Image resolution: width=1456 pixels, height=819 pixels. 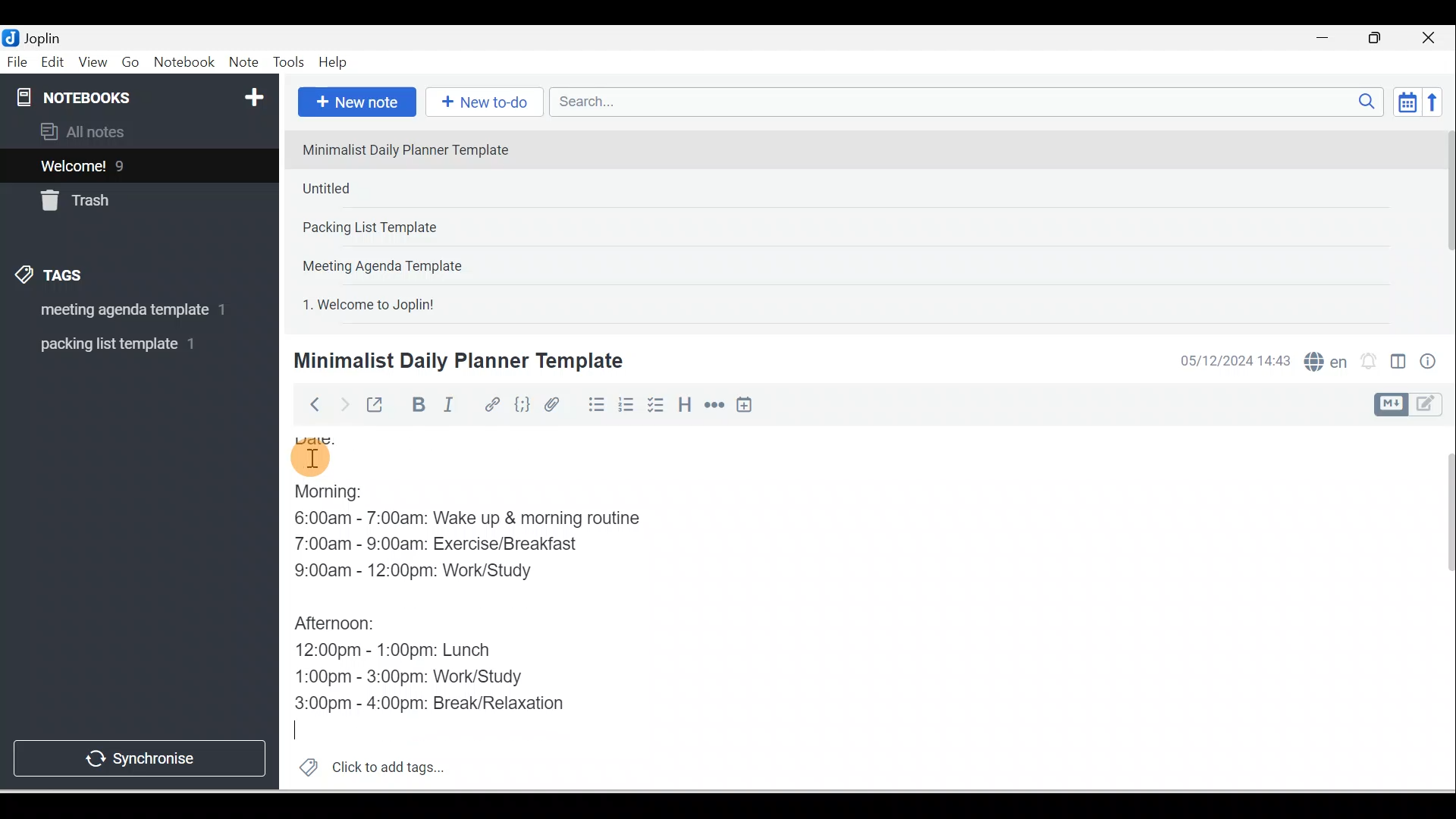 What do you see at coordinates (54, 278) in the screenshot?
I see `Tags` at bounding box center [54, 278].